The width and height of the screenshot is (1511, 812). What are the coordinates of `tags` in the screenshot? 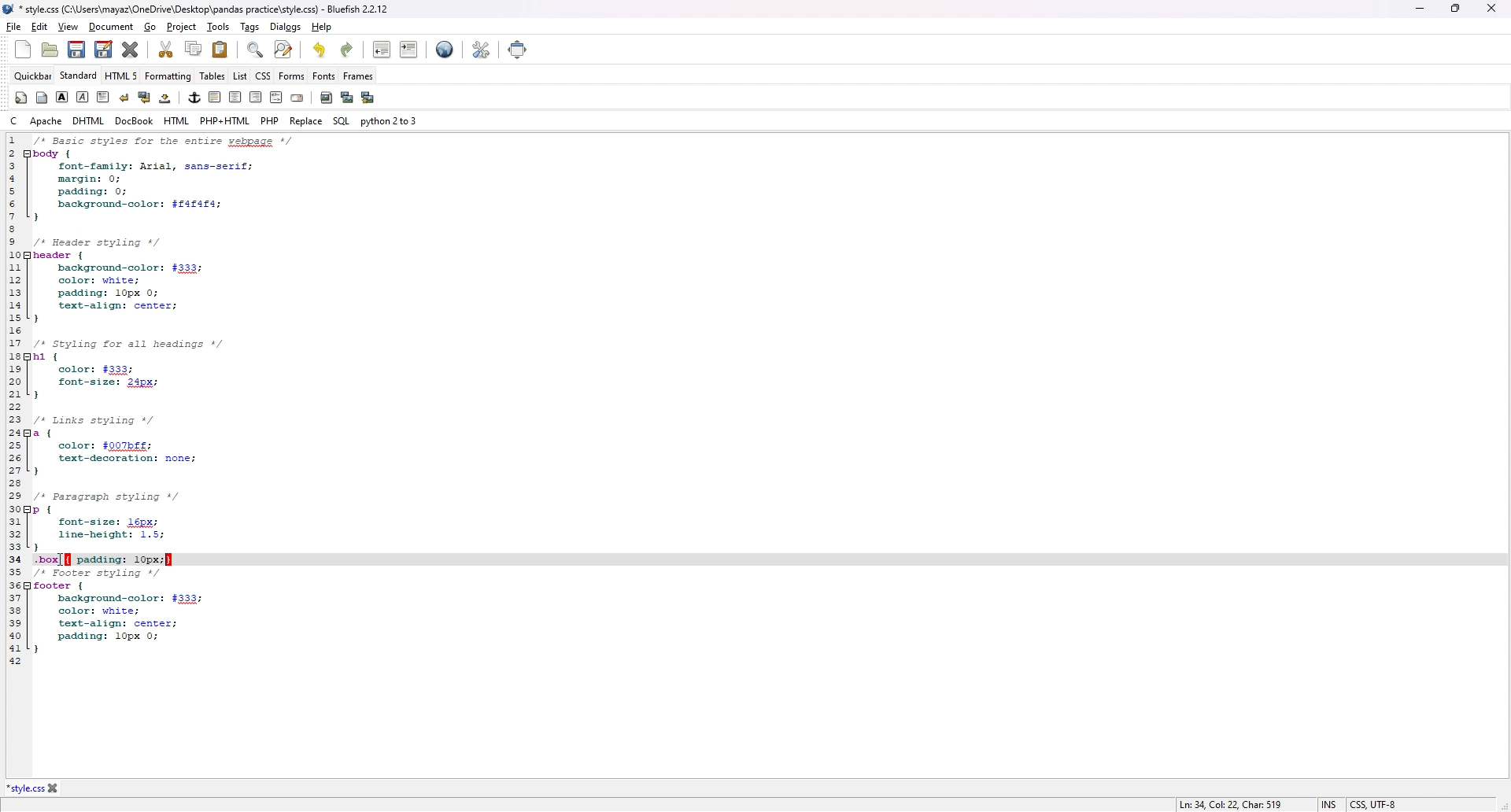 It's located at (250, 25).